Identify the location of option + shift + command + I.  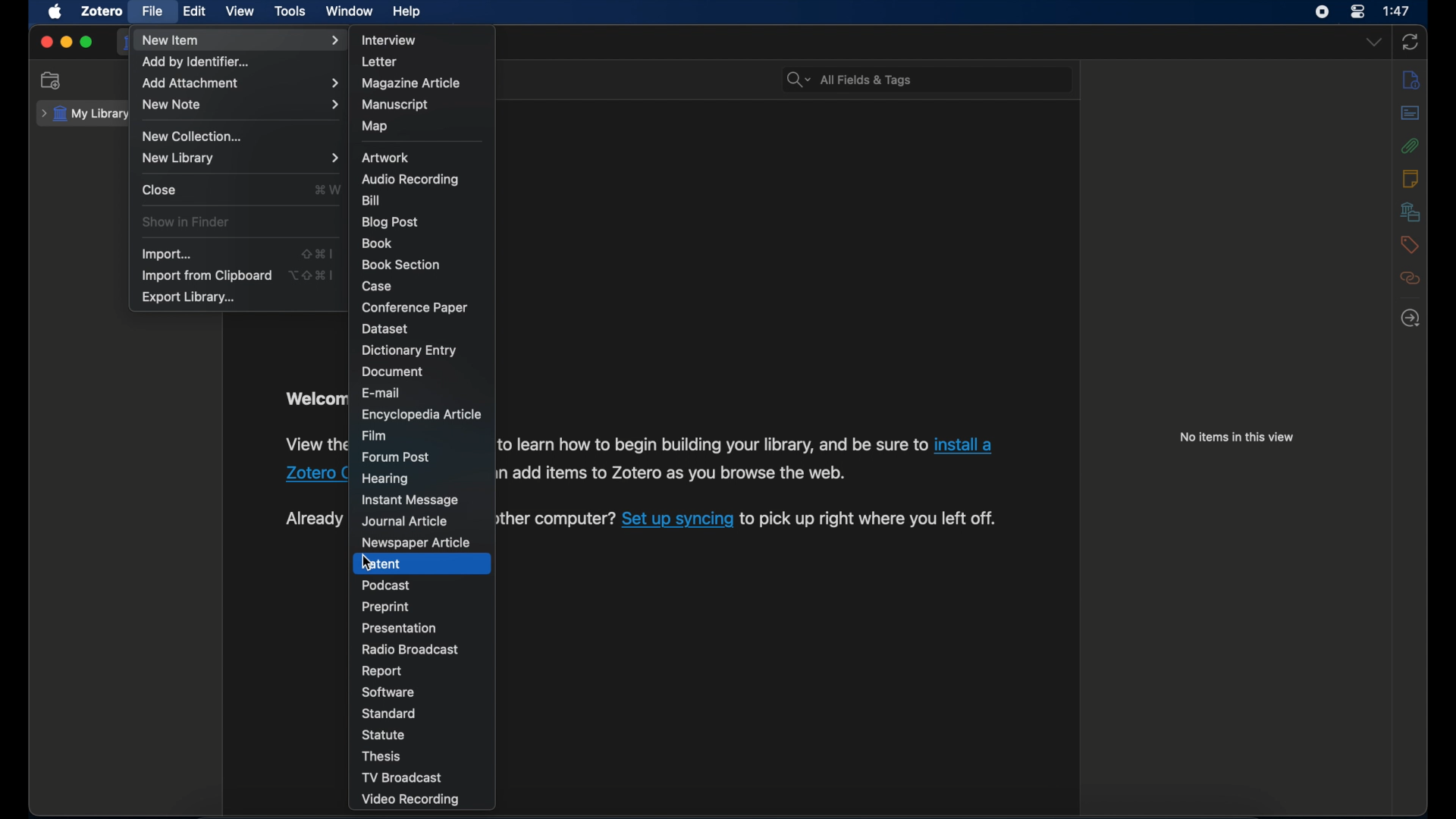
(310, 275).